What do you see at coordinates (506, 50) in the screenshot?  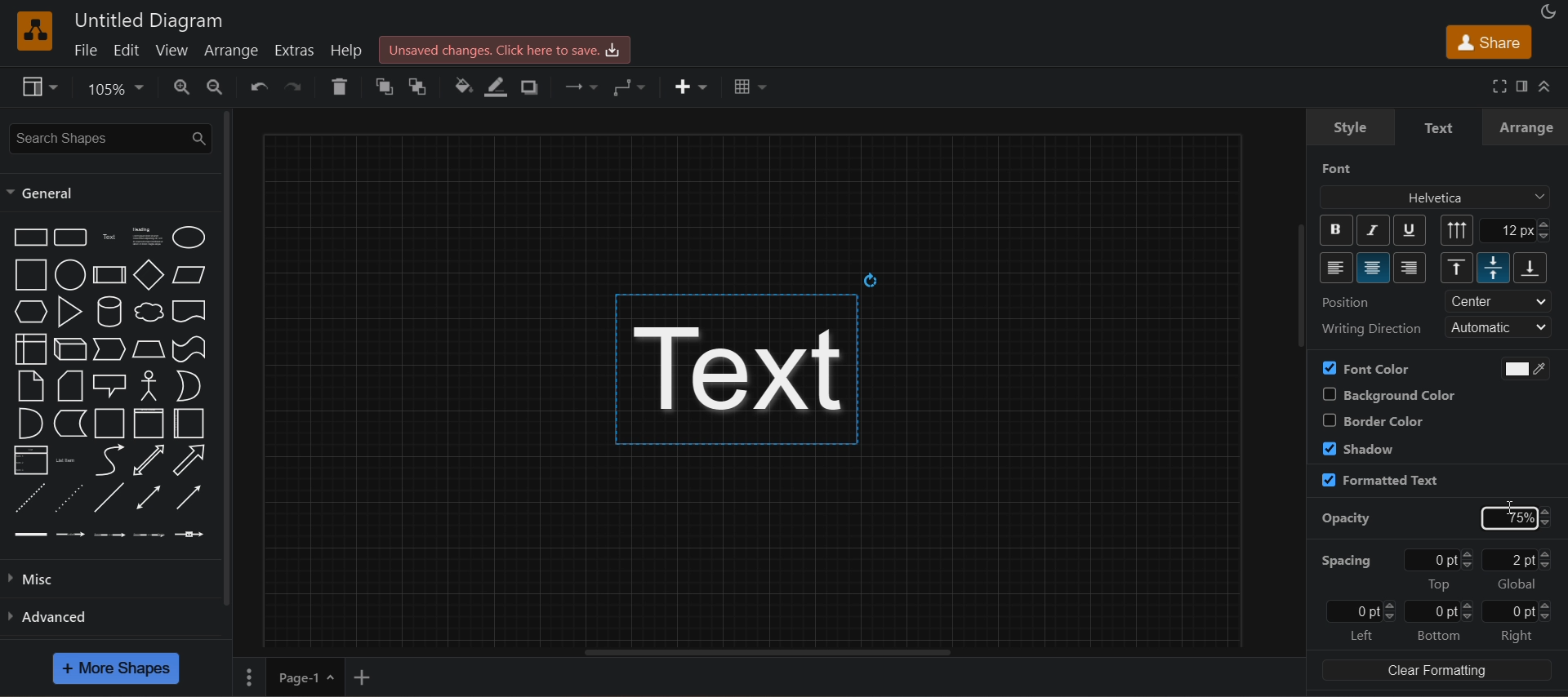 I see `unsaved changes. click here to save.` at bounding box center [506, 50].